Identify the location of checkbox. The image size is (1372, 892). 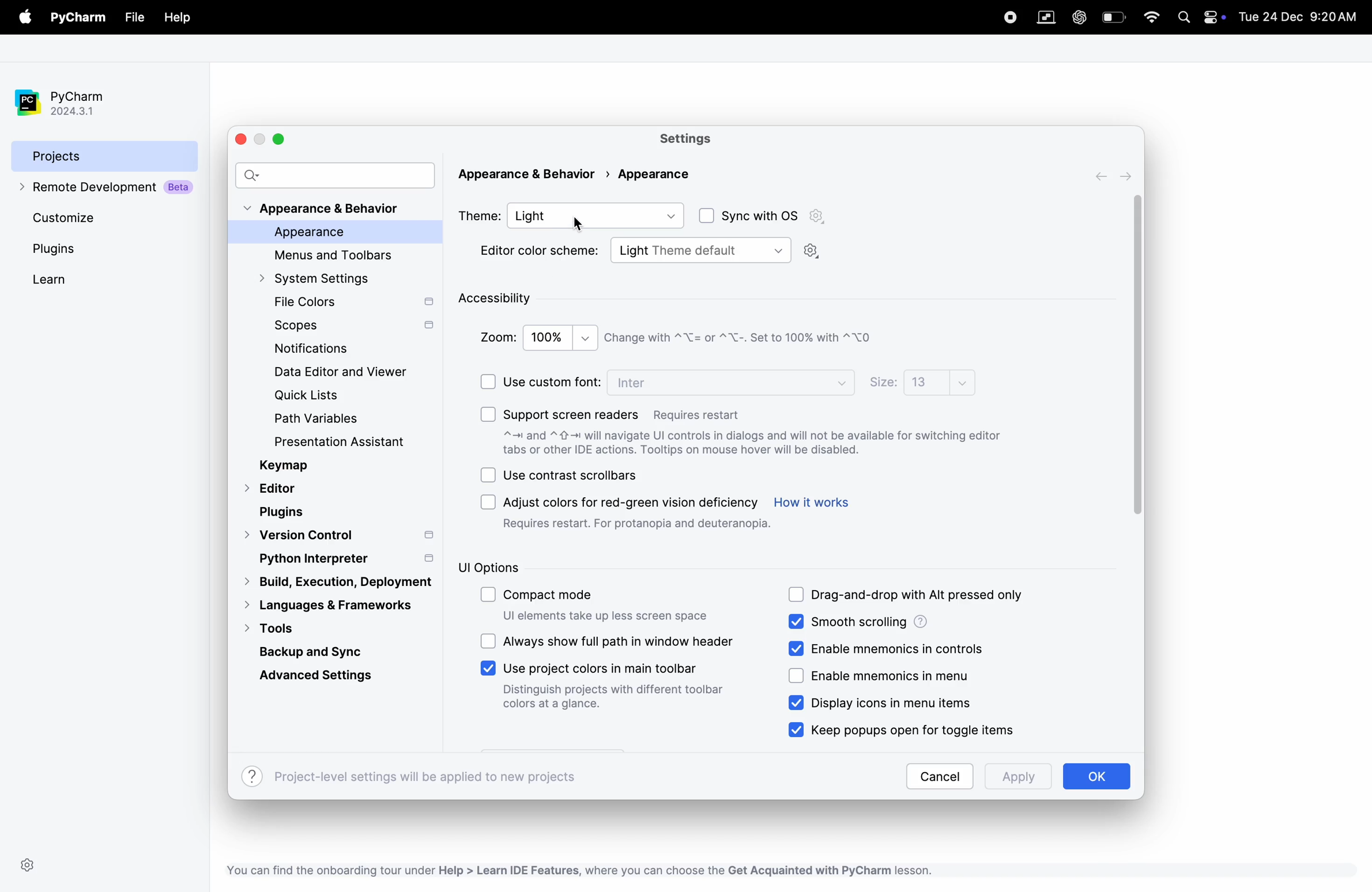
(797, 703).